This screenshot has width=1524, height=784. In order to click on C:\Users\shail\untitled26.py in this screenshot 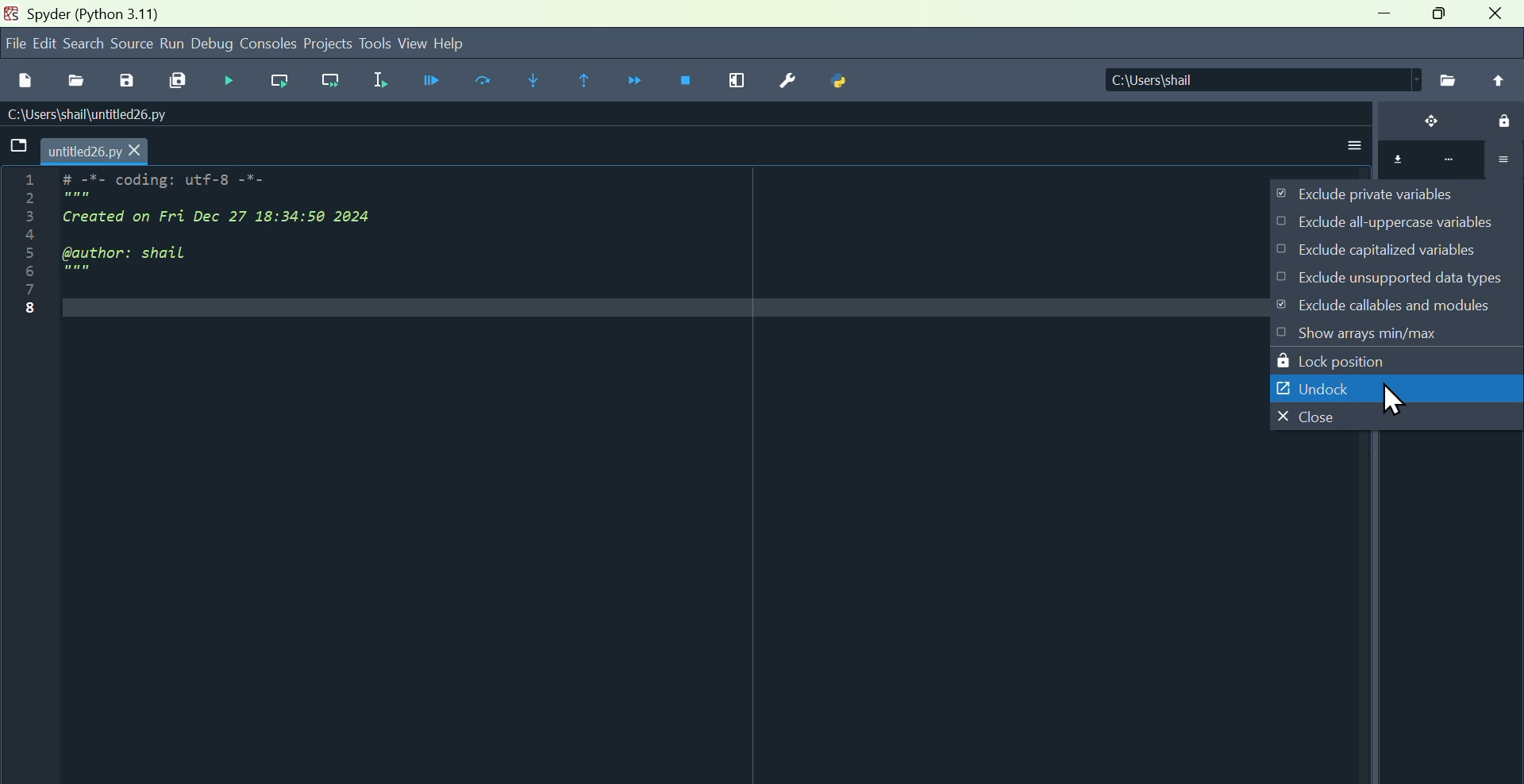, I will do `click(103, 114)`.